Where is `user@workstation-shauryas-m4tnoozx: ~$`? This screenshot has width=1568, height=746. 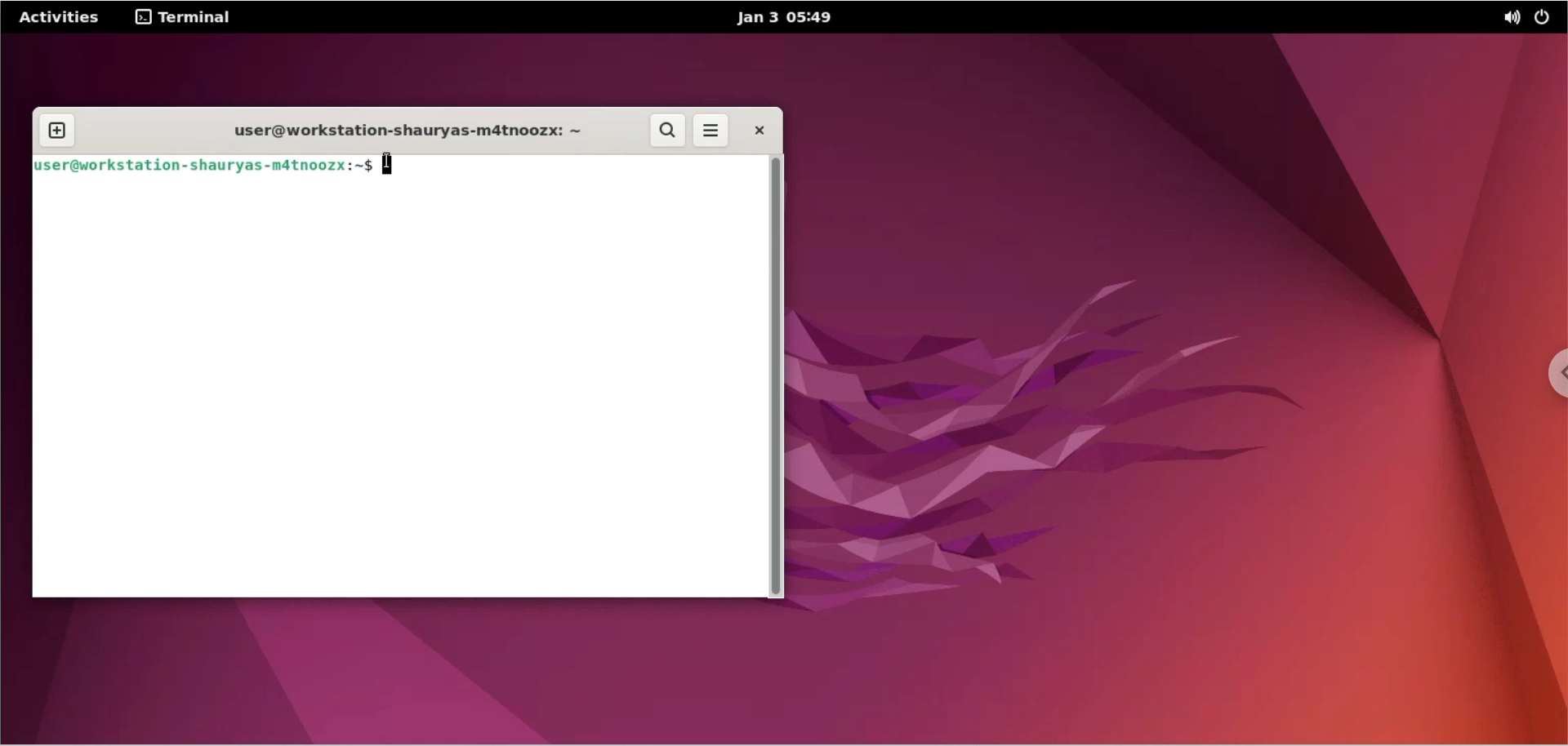
user@workstation-shauryas-m4tnoozx: ~$ is located at coordinates (203, 165).